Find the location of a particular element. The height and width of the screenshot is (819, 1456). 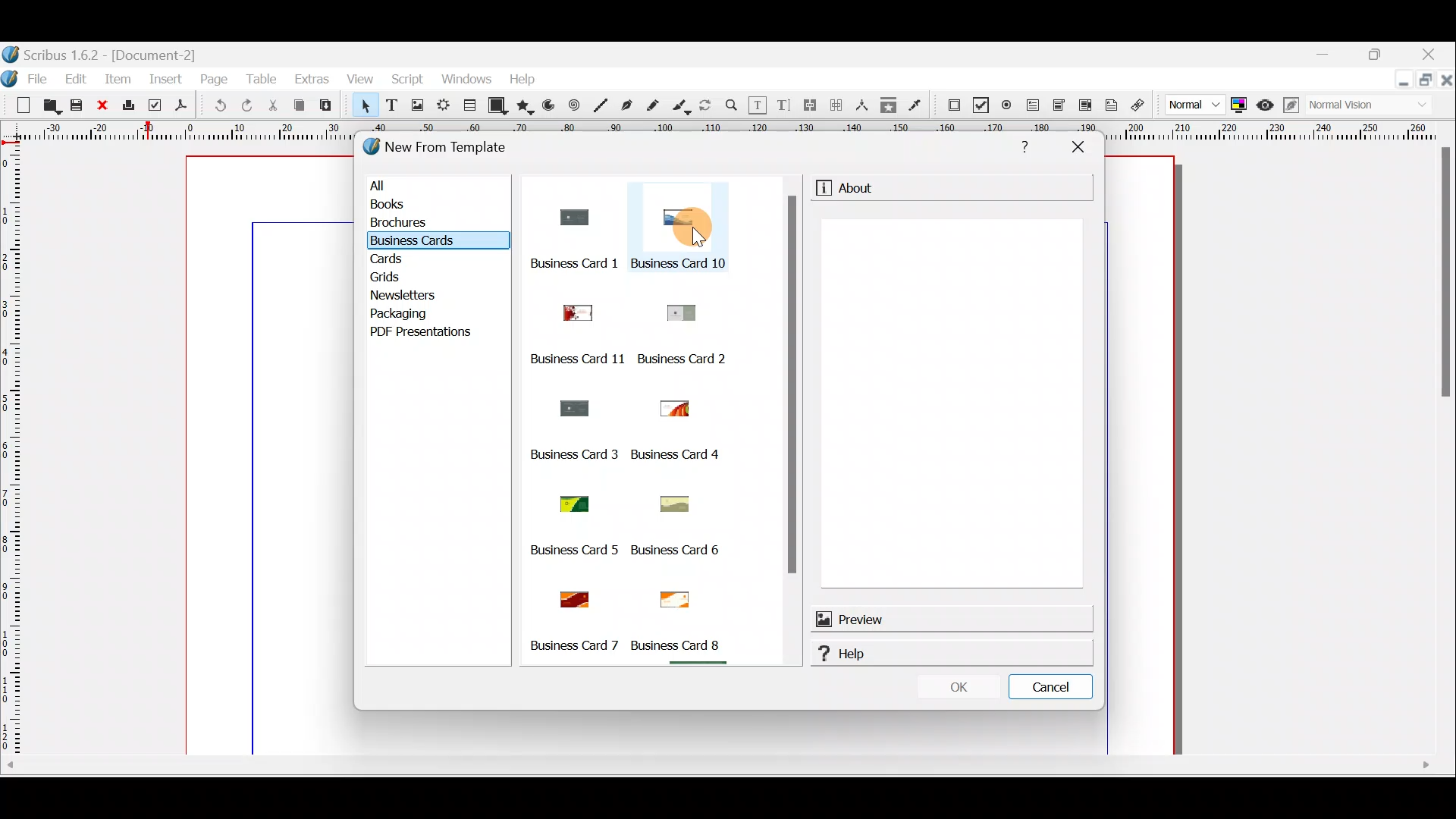

Business card image is located at coordinates (568, 500).